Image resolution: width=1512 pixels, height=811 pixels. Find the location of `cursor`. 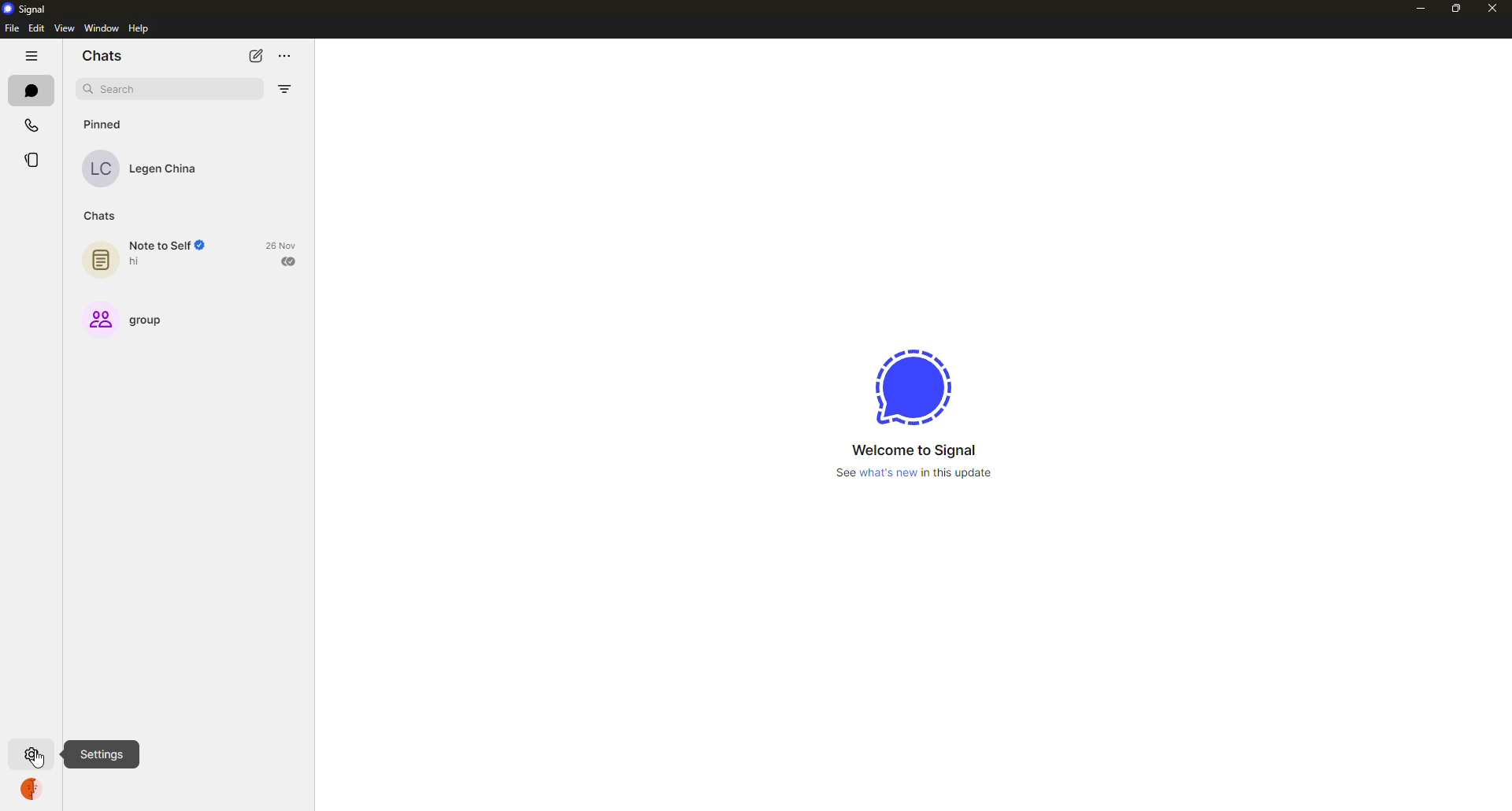

cursor is located at coordinates (38, 761).